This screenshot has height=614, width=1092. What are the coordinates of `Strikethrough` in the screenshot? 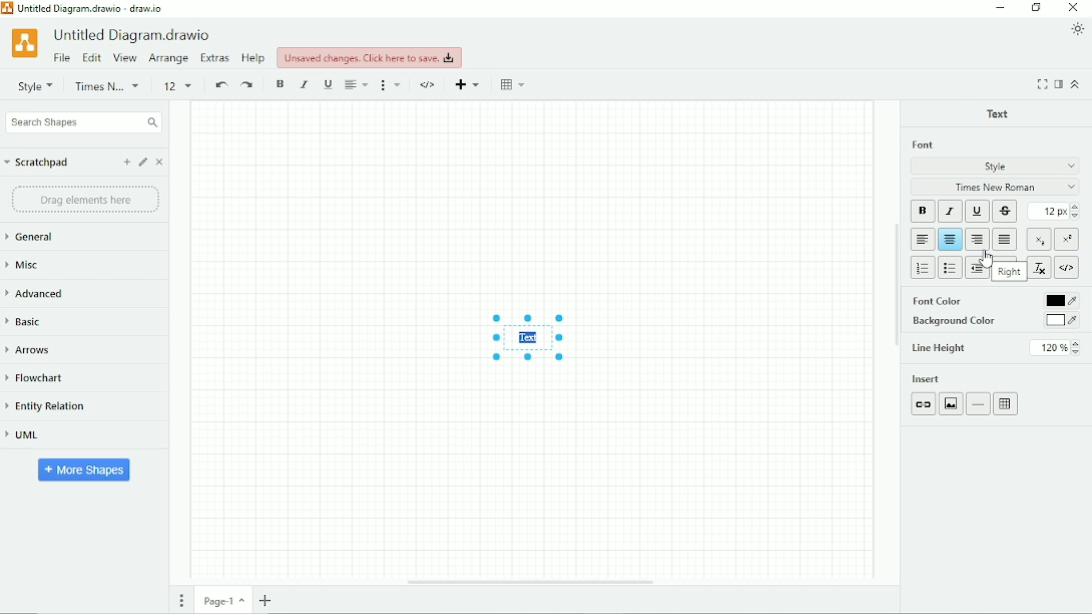 It's located at (1005, 212).